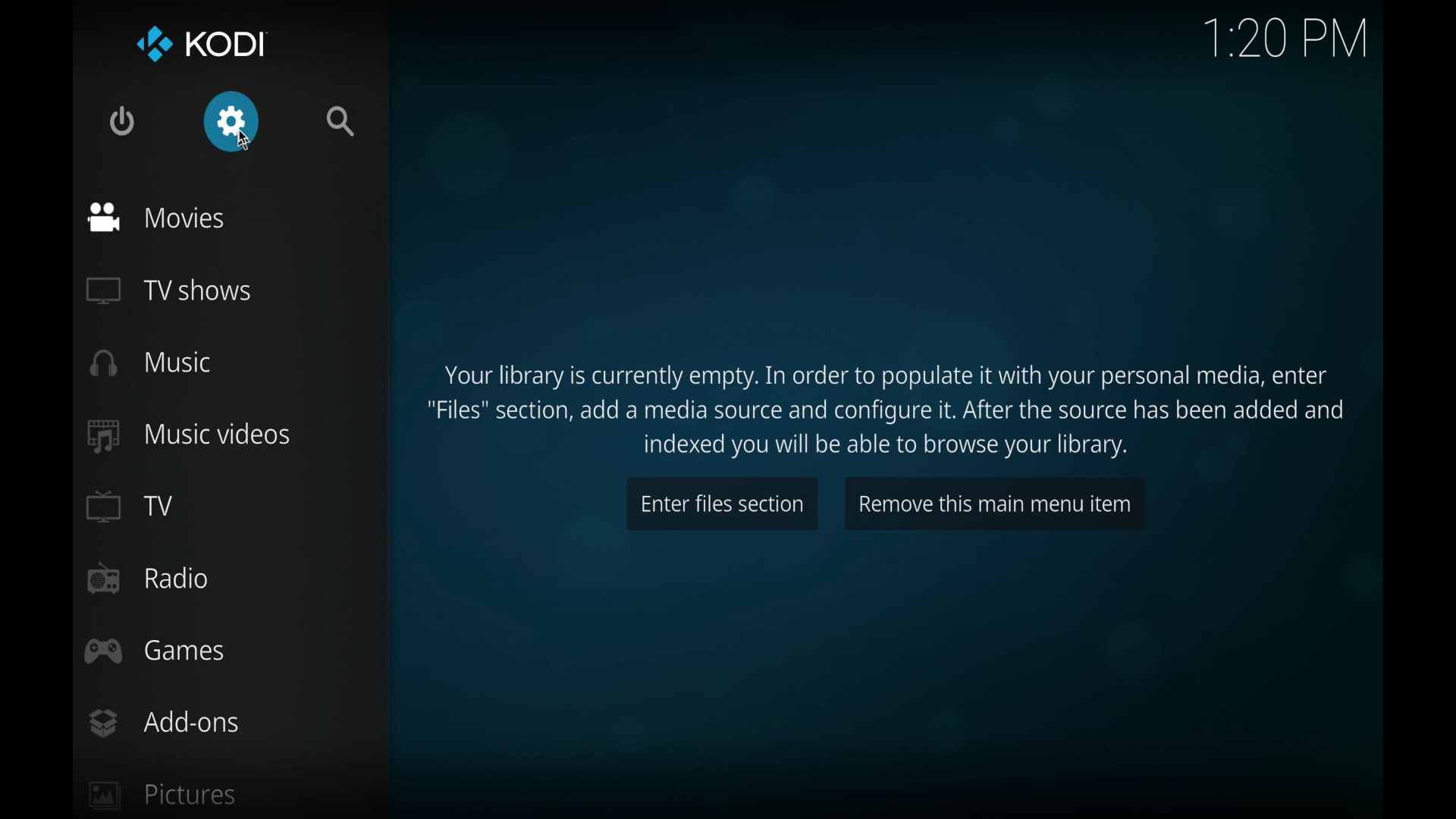 The height and width of the screenshot is (819, 1456). Describe the element at coordinates (123, 122) in the screenshot. I see `quit kodi` at that location.